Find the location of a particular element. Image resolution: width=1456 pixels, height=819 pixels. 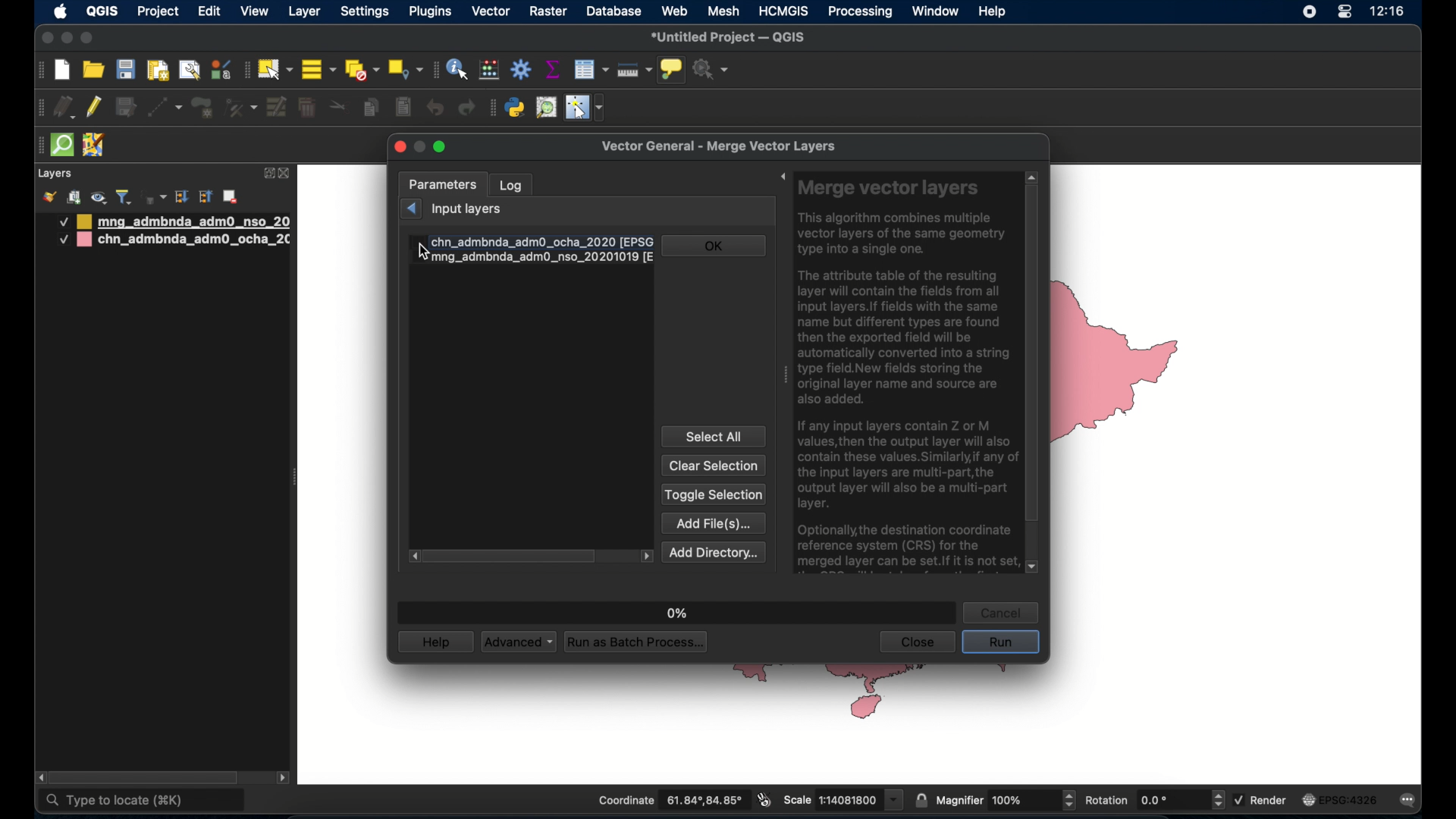

python console is located at coordinates (516, 108).